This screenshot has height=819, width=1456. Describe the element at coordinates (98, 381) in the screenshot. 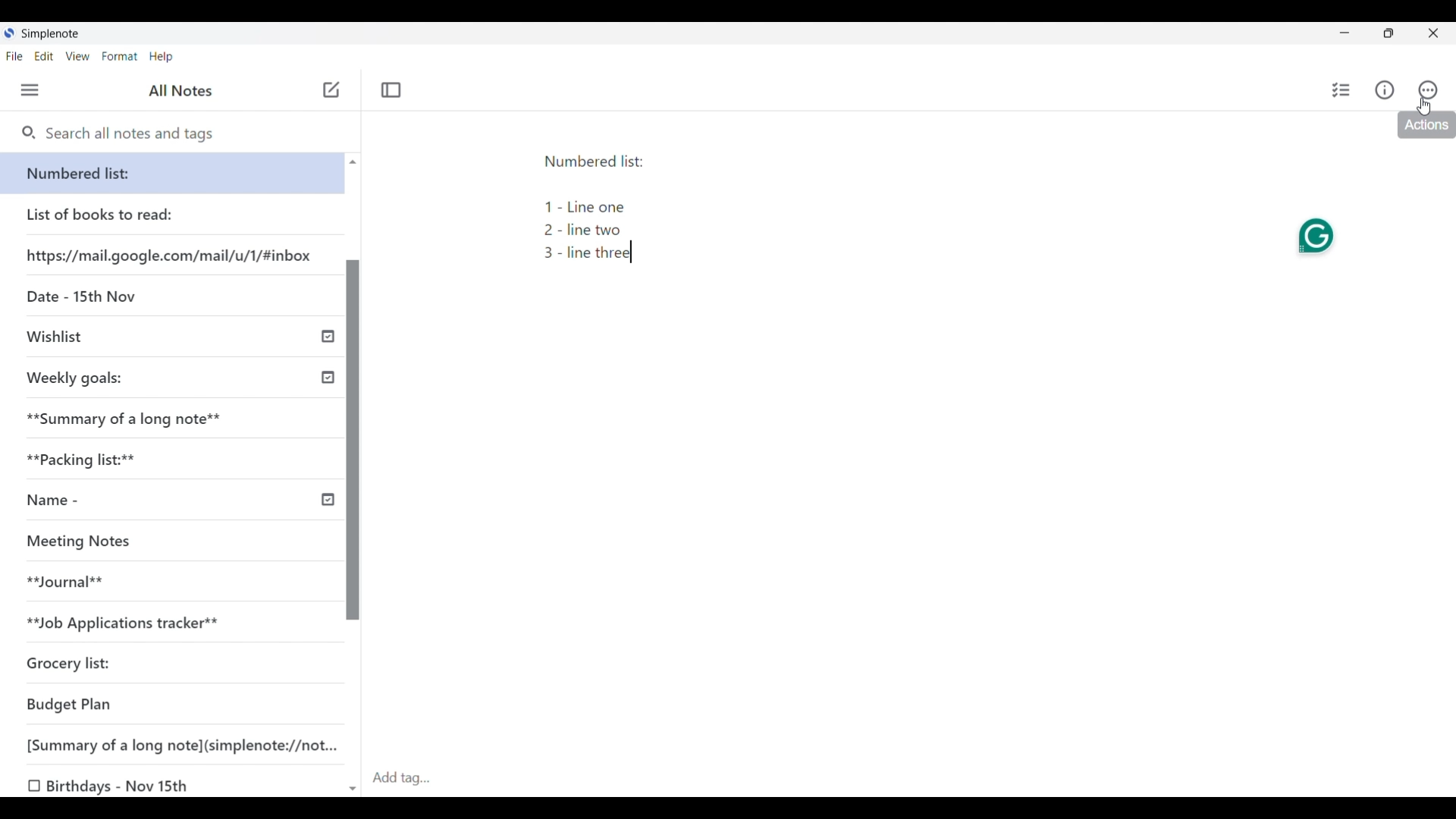

I see `Weekly goals:` at that location.